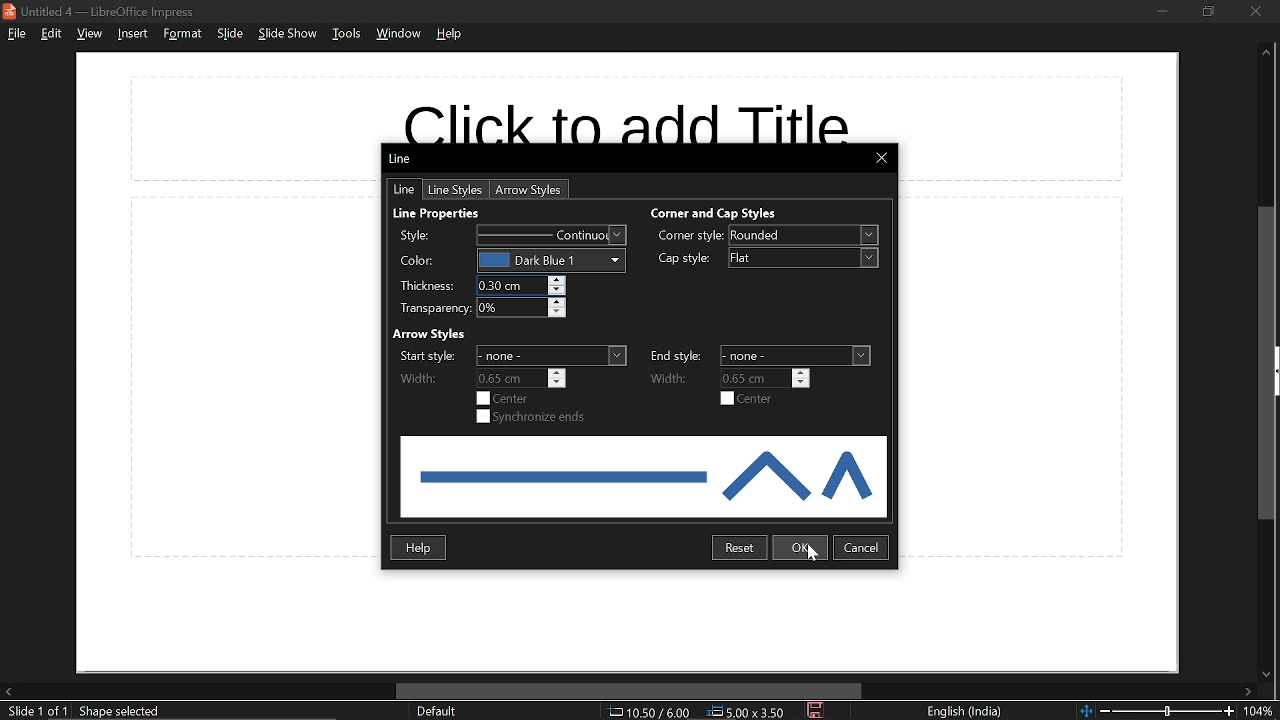  I want to click on line styles, so click(457, 190).